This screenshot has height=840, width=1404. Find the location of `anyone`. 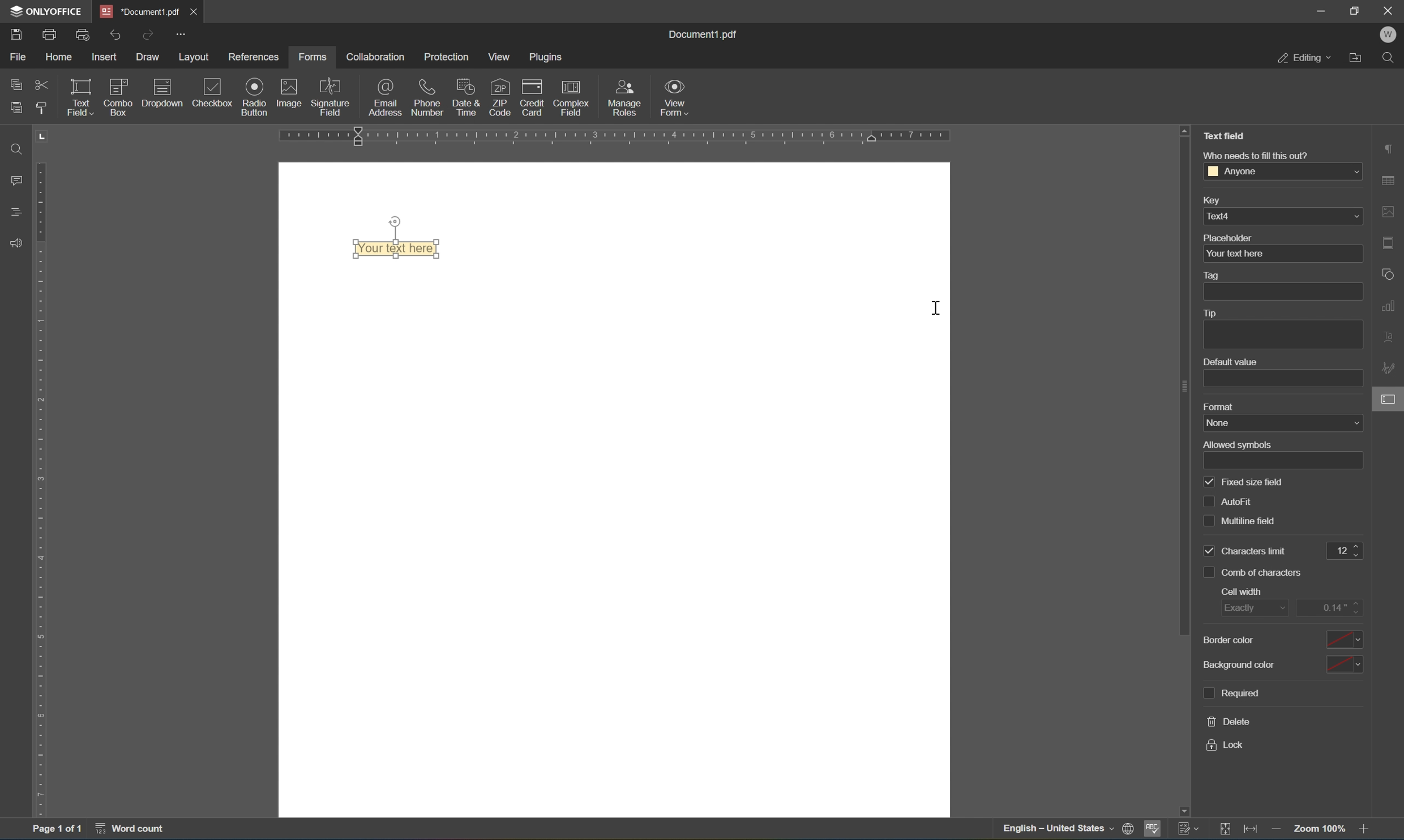

anyone is located at coordinates (1285, 170).